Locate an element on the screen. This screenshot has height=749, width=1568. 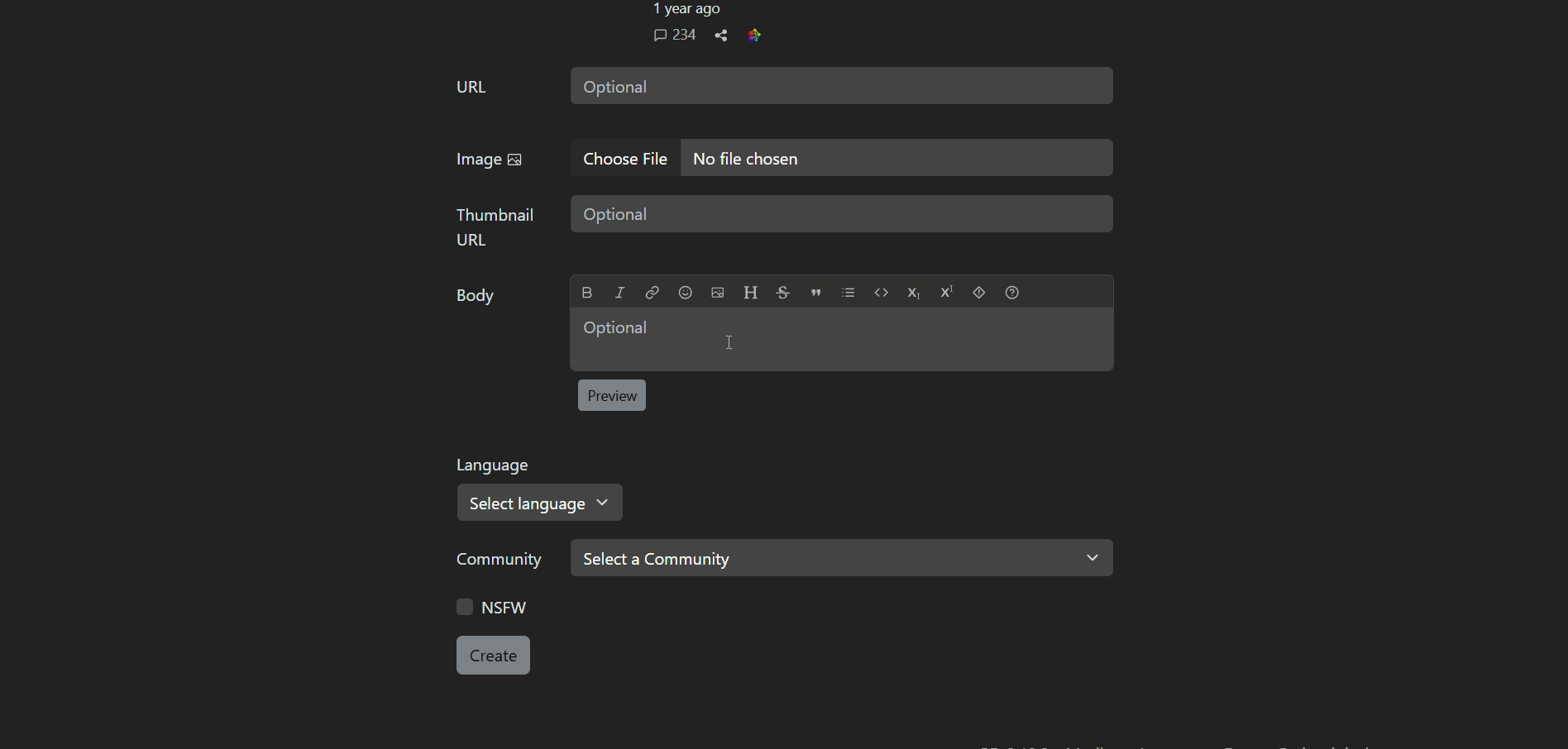
Formatting help is located at coordinates (1012, 292).